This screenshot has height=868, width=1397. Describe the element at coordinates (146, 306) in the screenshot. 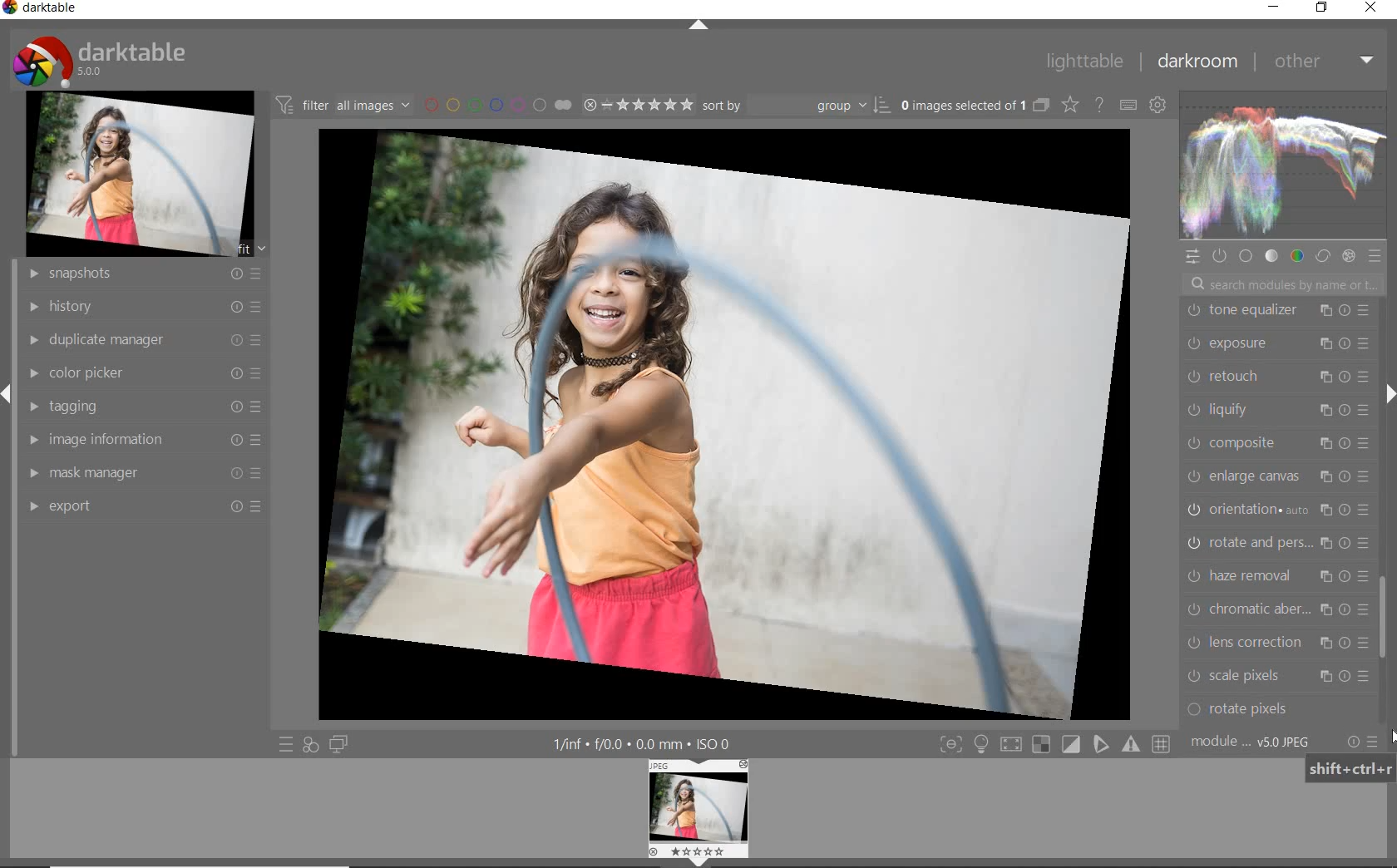

I see `history` at that location.